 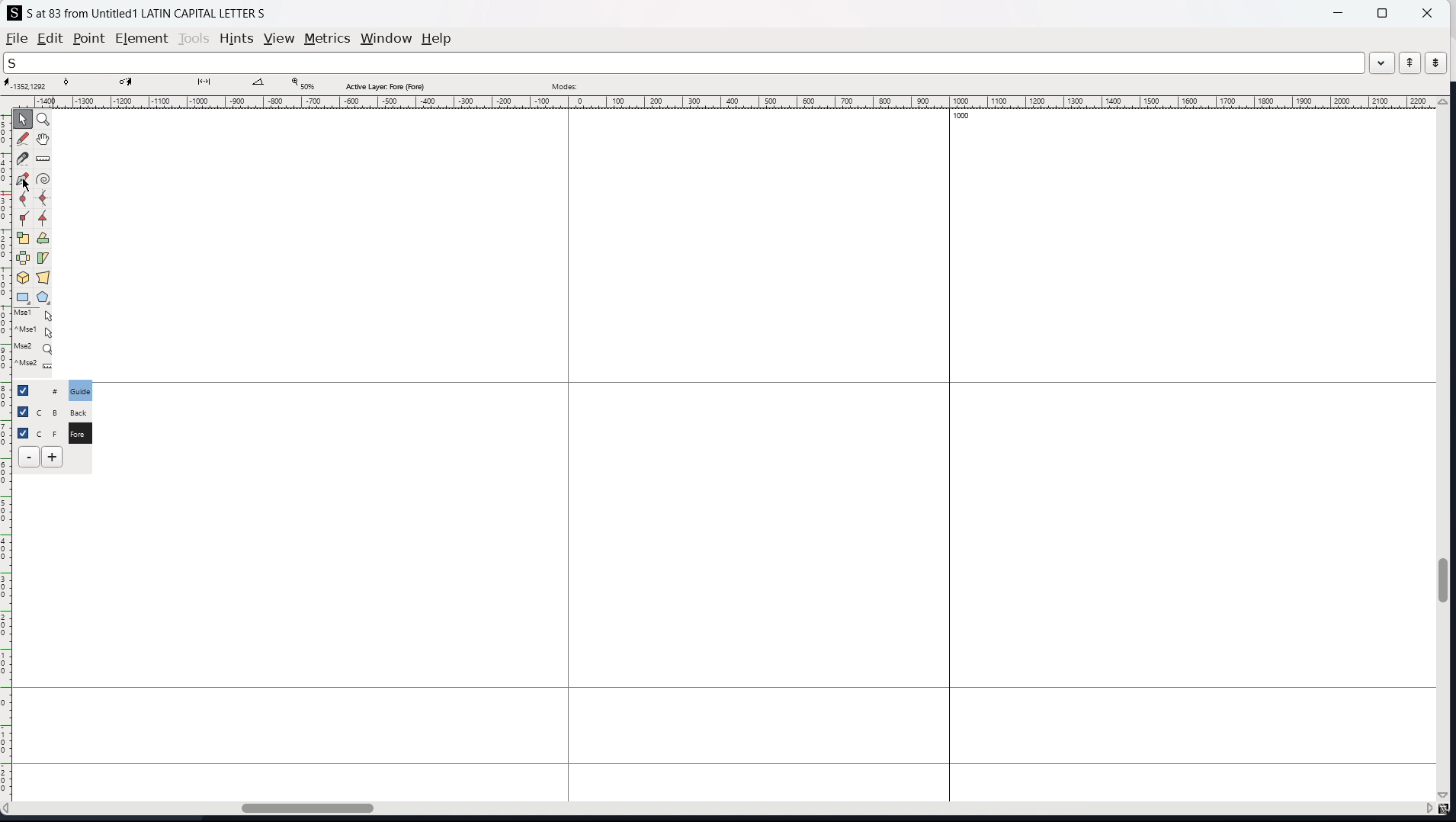 What do you see at coordinates (23, 258) in the screenshot?
I see `flip the selection` at bounding box center [23, 258].